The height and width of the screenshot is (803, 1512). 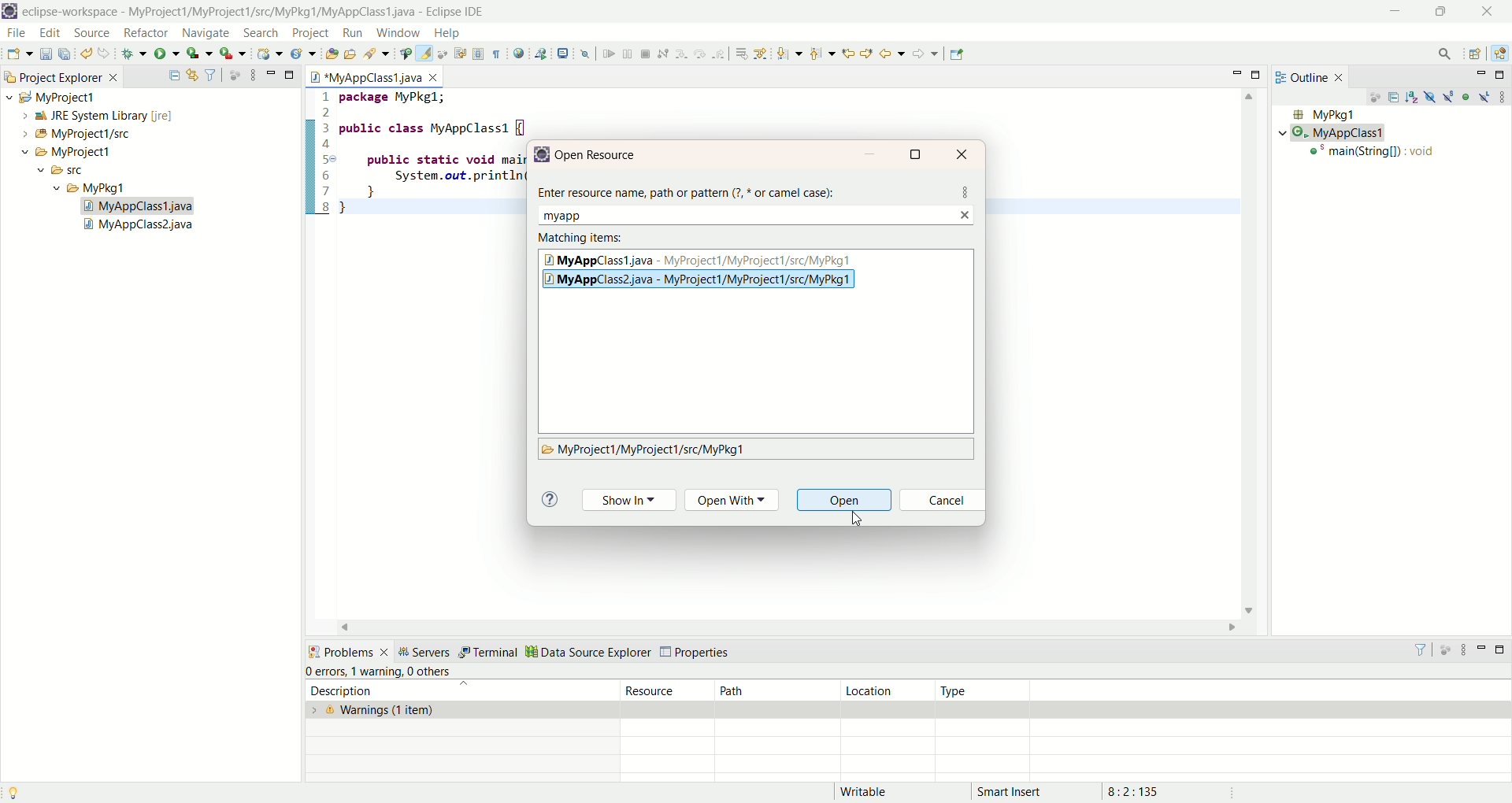 What do you see at coordinates (76, 172) in the screenshot?
I see `src` at bounding box center [76, 172].